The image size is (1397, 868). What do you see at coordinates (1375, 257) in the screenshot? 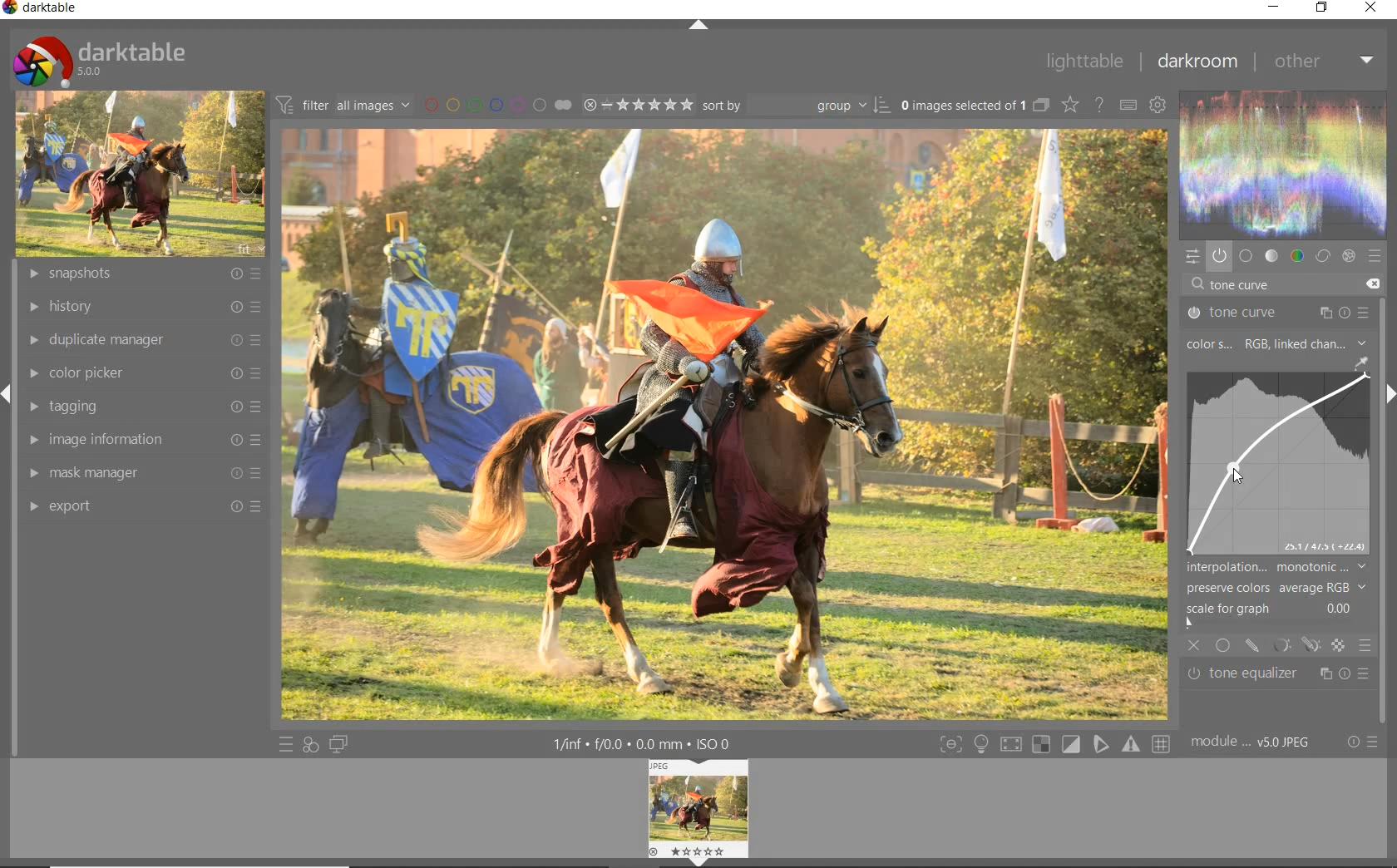
I see `presets` at bounding box center [1375, 257].